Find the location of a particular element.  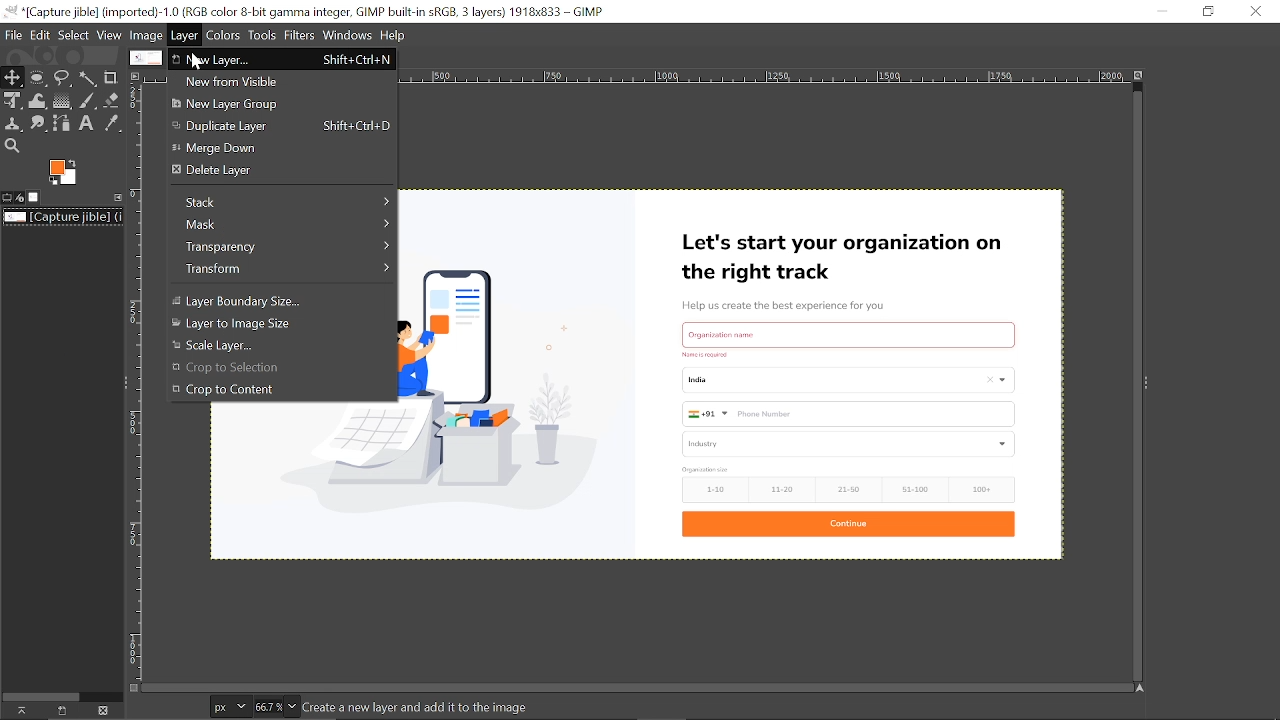

Image info is located at coordinates (410, 706).